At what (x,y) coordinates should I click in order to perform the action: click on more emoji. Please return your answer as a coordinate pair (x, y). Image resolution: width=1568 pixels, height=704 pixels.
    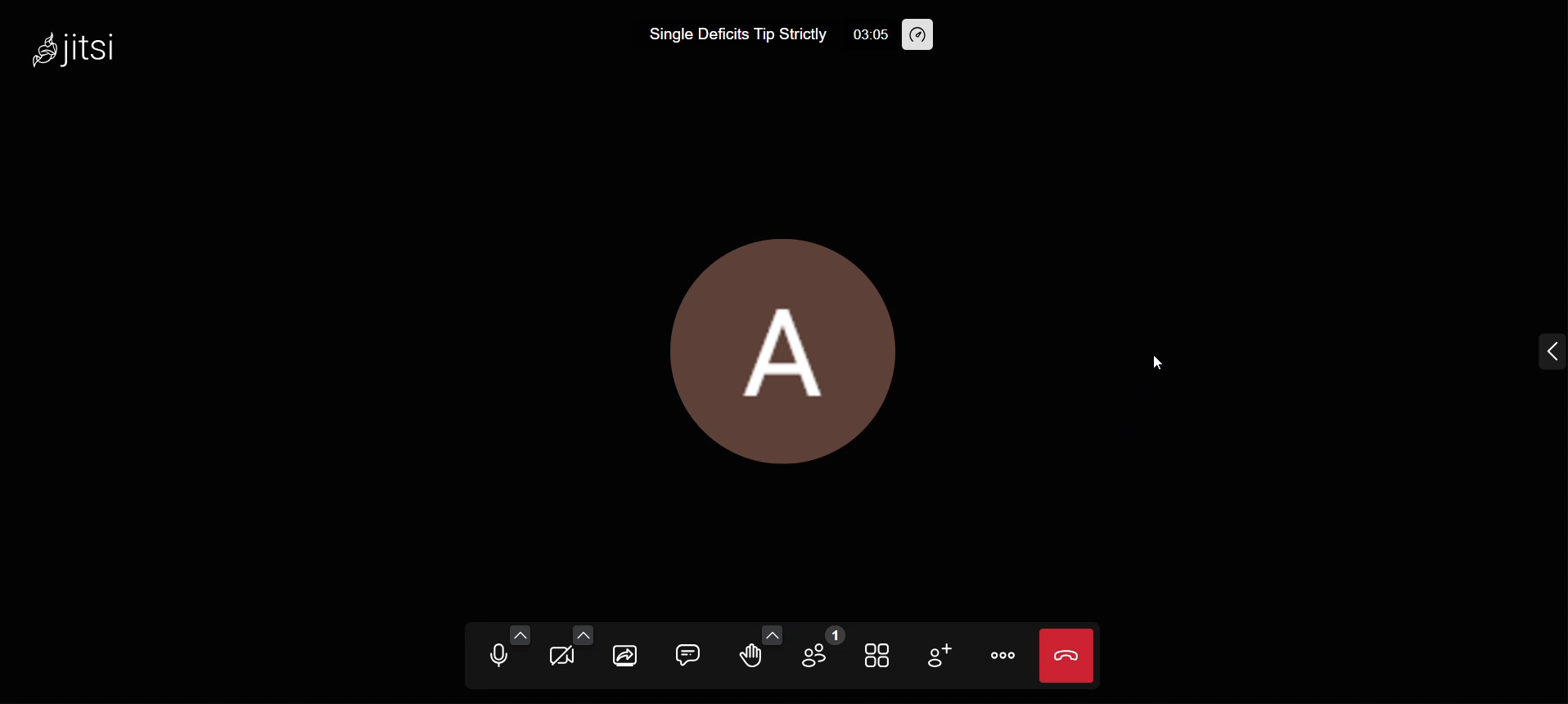
    Looking at the image, I should click on (768, 633).